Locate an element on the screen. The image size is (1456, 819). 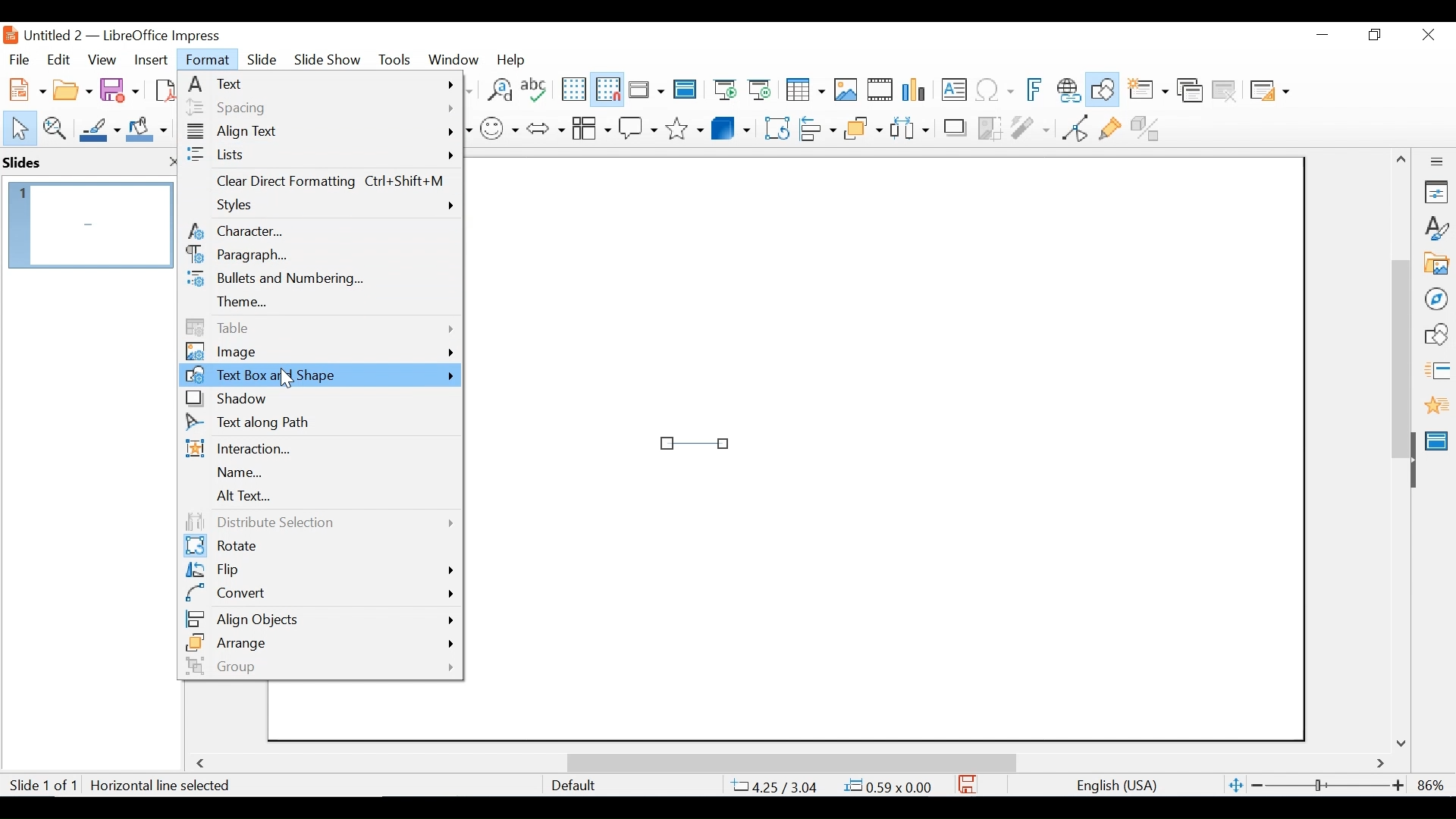
Interaction is located at coordinates (319, 450).